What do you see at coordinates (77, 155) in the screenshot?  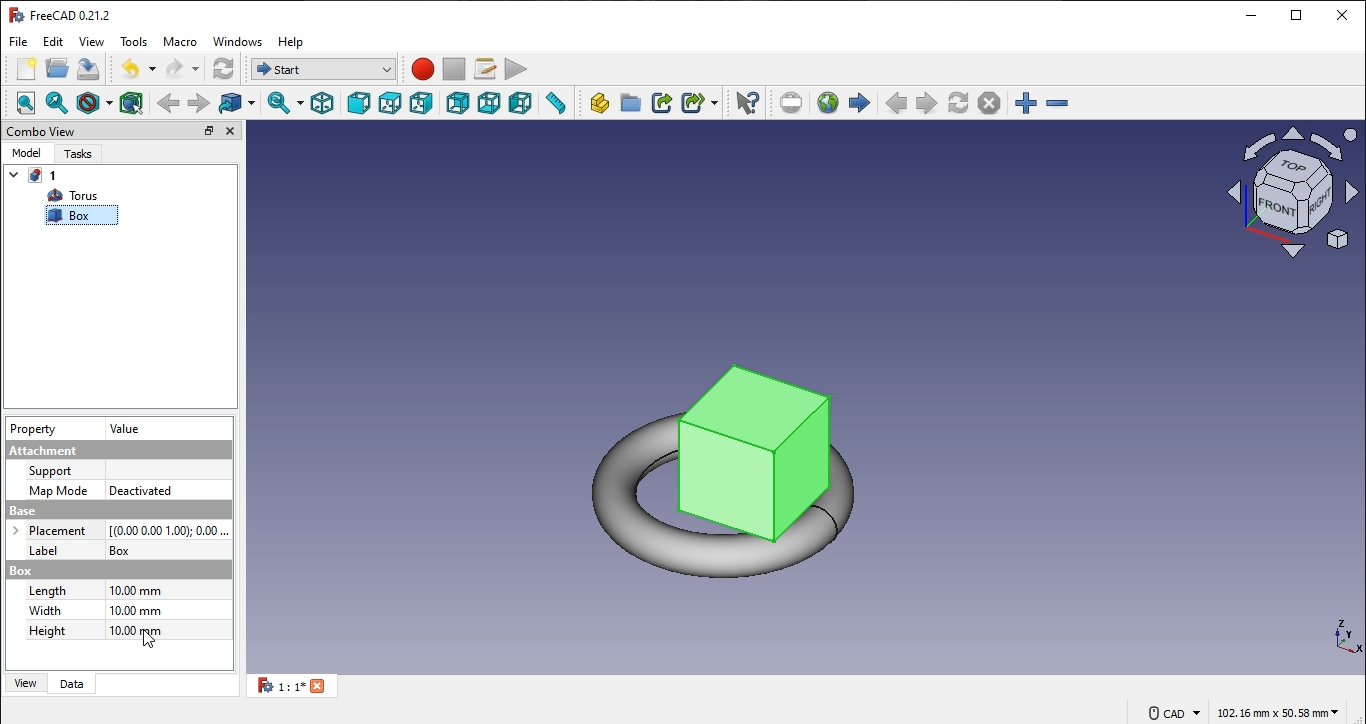 I see `tasks` at bounding box center [77, 155].